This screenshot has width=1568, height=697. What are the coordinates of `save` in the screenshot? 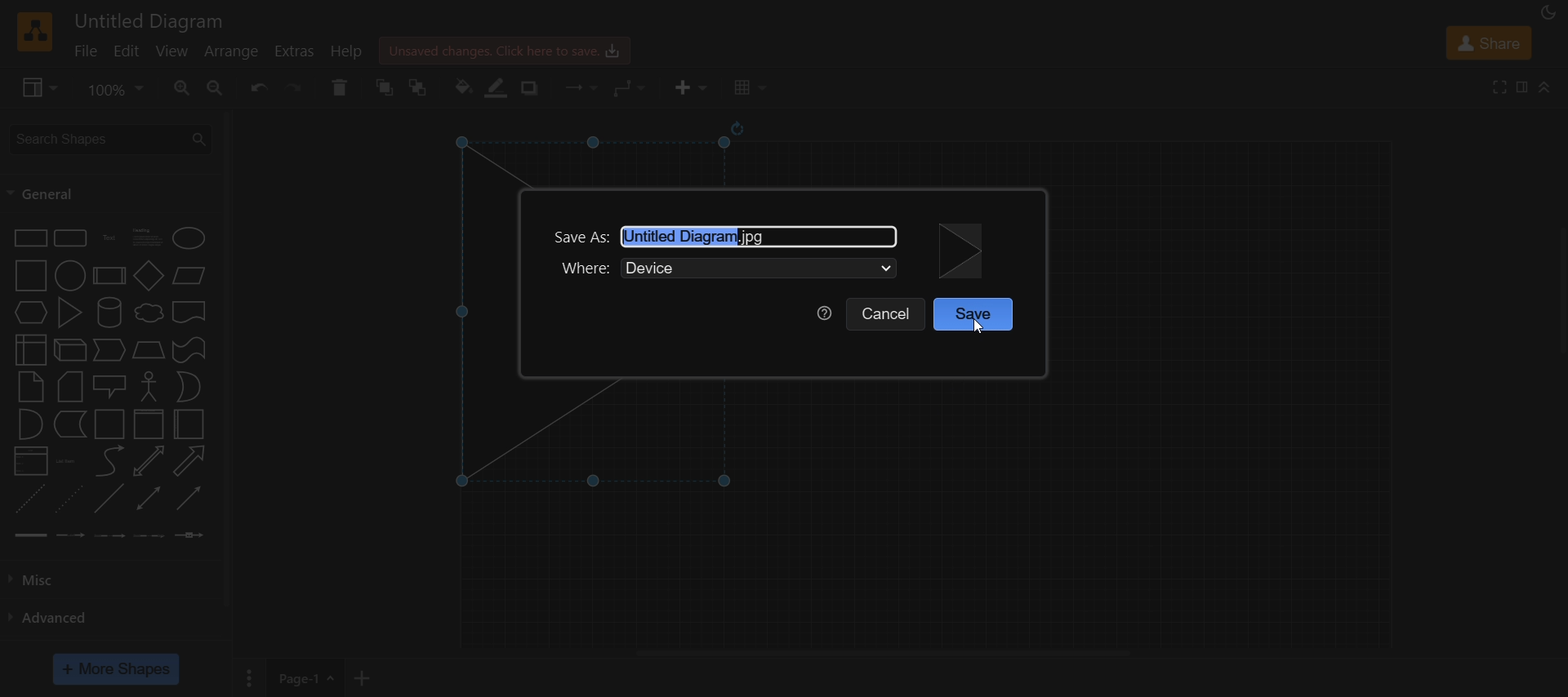 It's located at (977, 315).